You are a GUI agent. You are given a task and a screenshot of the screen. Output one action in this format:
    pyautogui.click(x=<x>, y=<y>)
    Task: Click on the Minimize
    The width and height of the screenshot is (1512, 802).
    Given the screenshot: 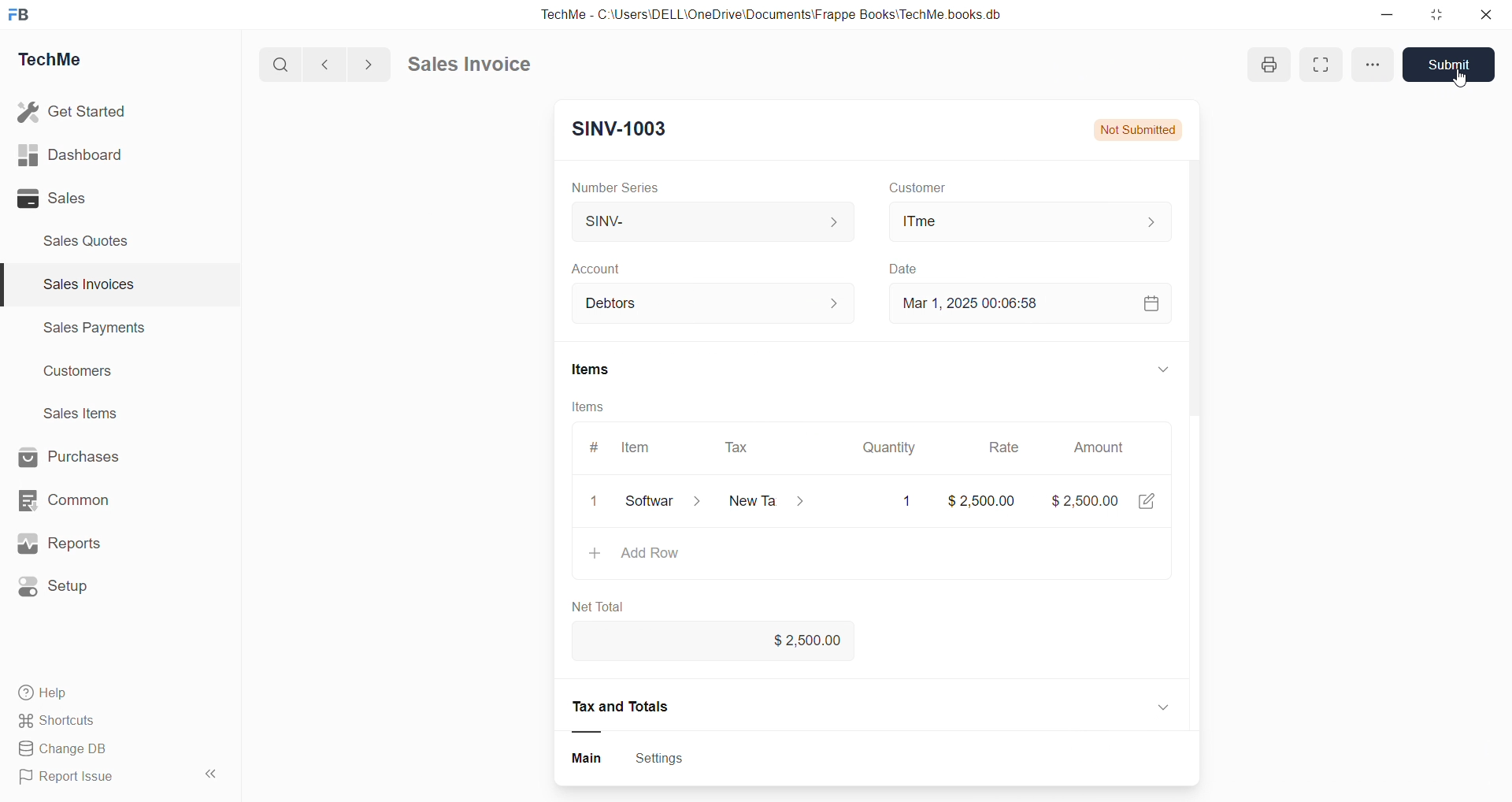 What is the action you would take?
    pyautogui.click(x=1392, y=16)
    